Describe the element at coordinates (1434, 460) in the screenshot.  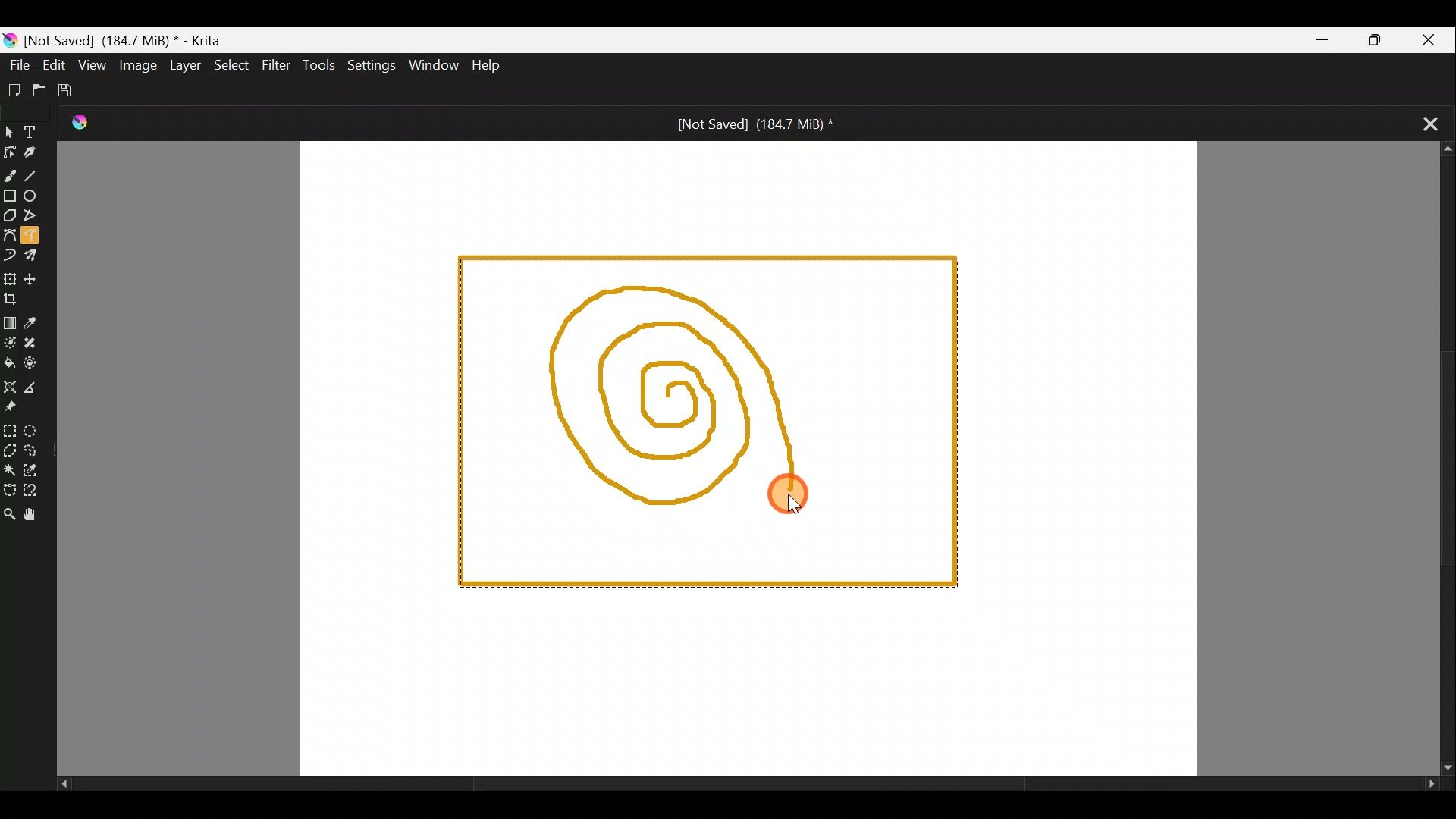
I see `Scroll bar` at that location.